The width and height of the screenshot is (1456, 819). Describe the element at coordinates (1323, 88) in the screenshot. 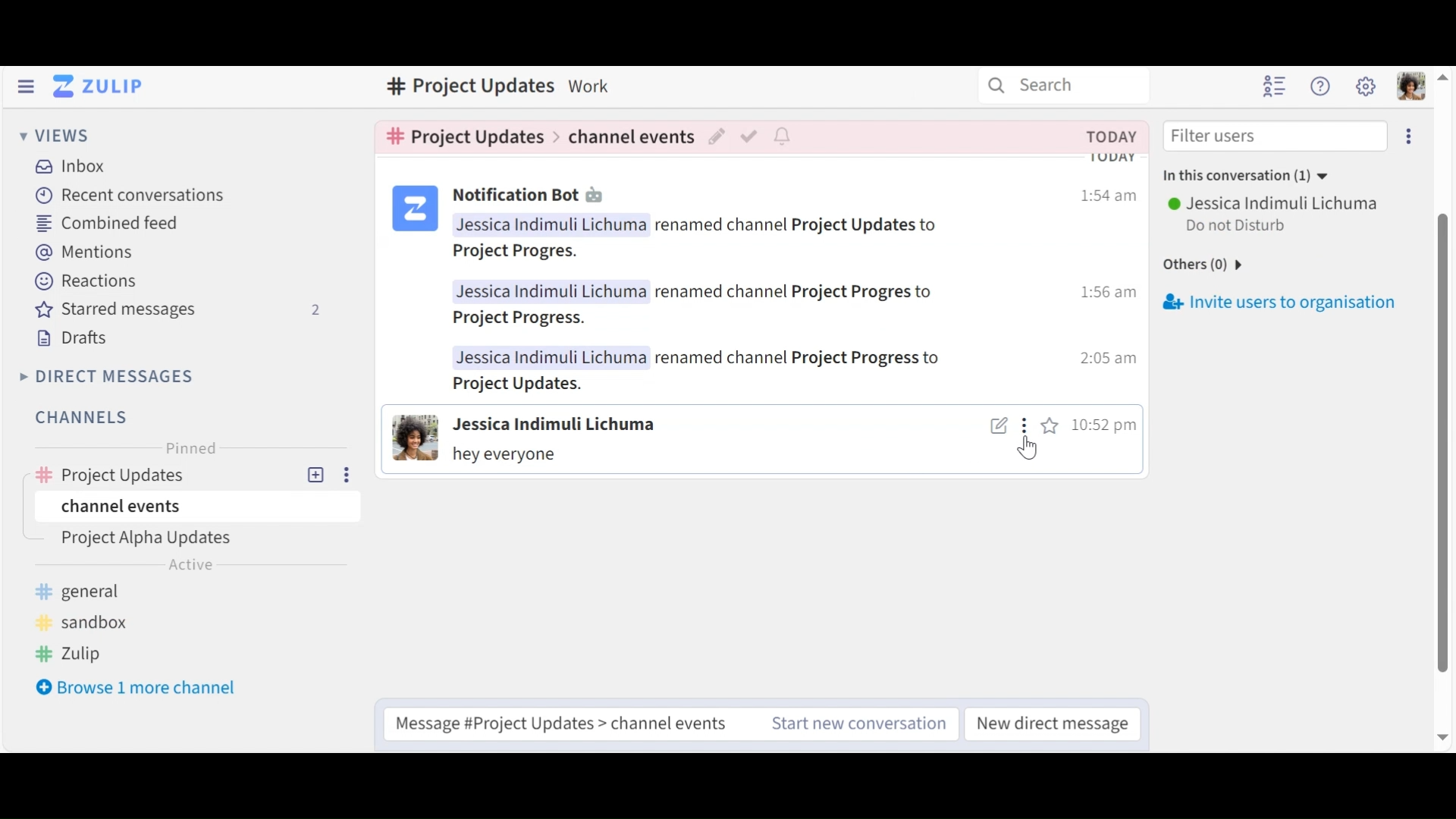

I see `Help menu` at that location.